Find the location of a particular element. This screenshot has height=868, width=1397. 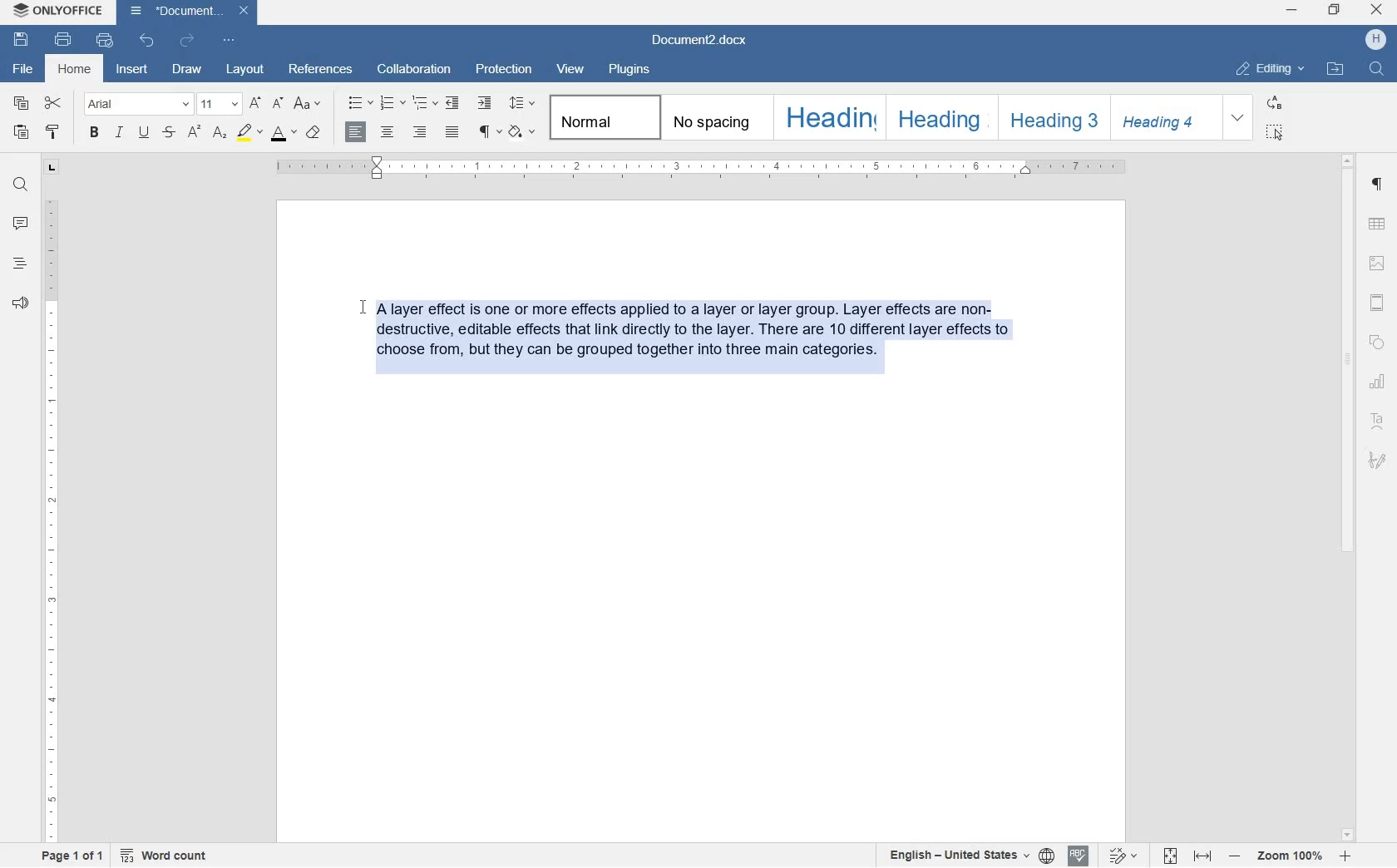

undo is located at coordinates (147, 40).